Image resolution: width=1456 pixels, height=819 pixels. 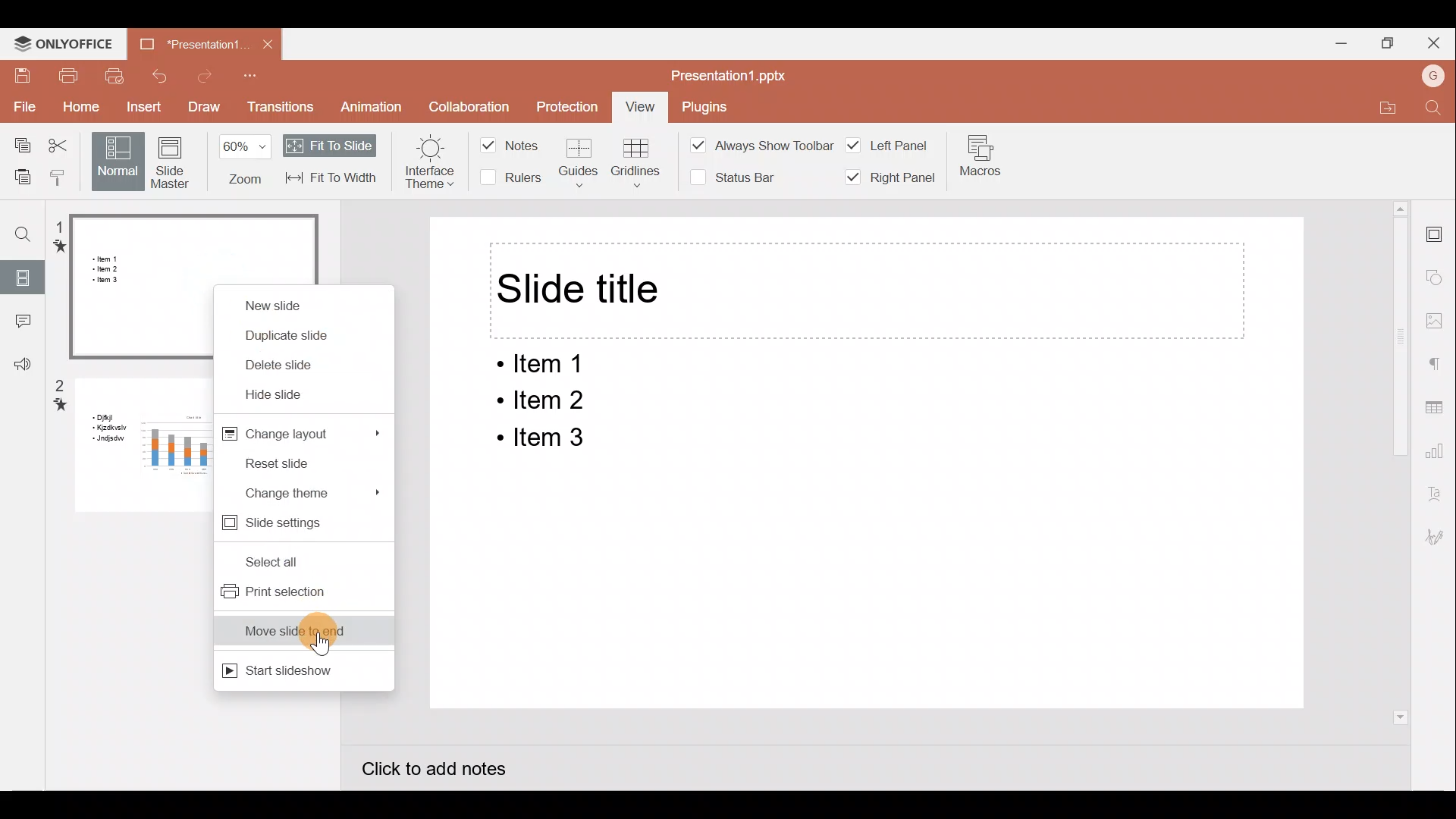 I want to click on Macros, so click(x=980, y=161).